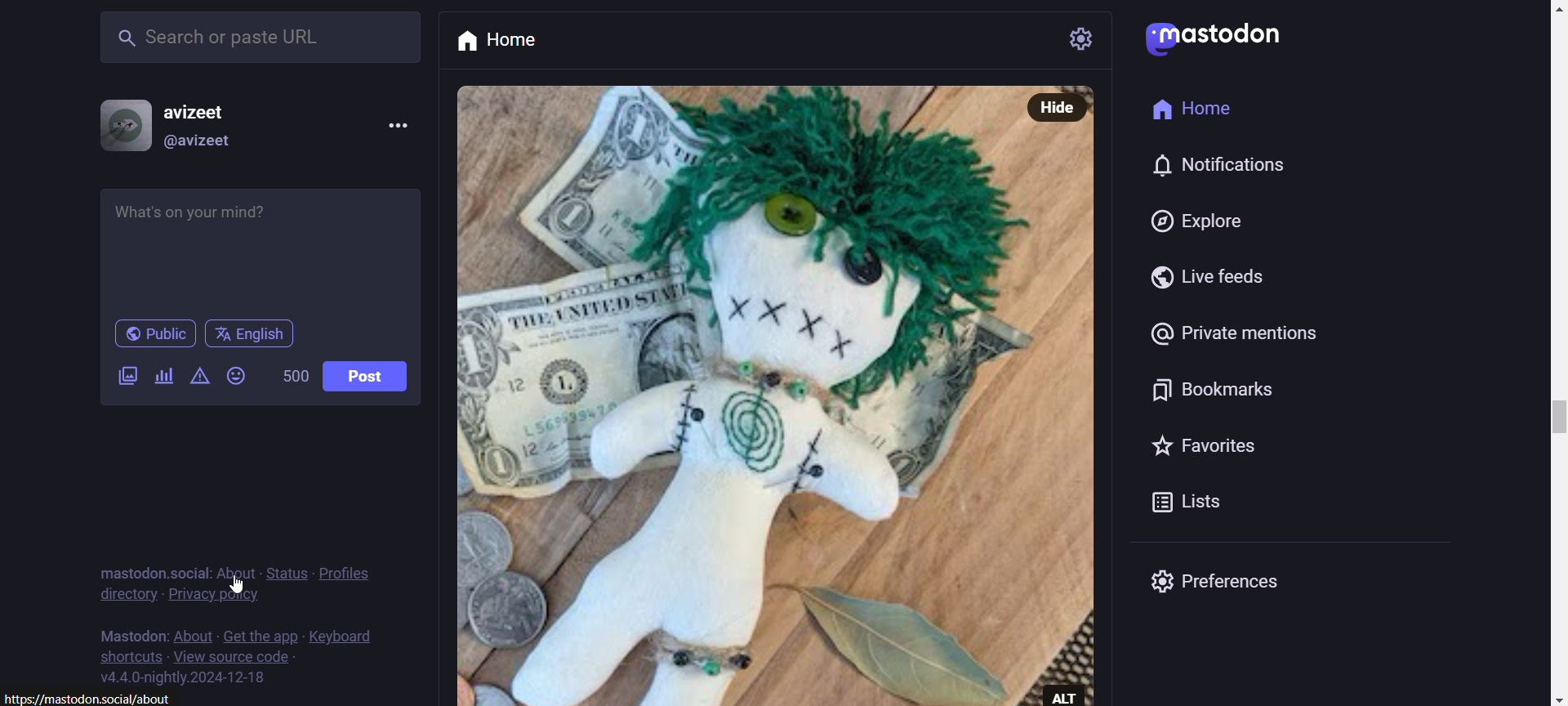 The width and height of the screenshot is (1568, 706). I want to click on alt, so click(1072, 694).